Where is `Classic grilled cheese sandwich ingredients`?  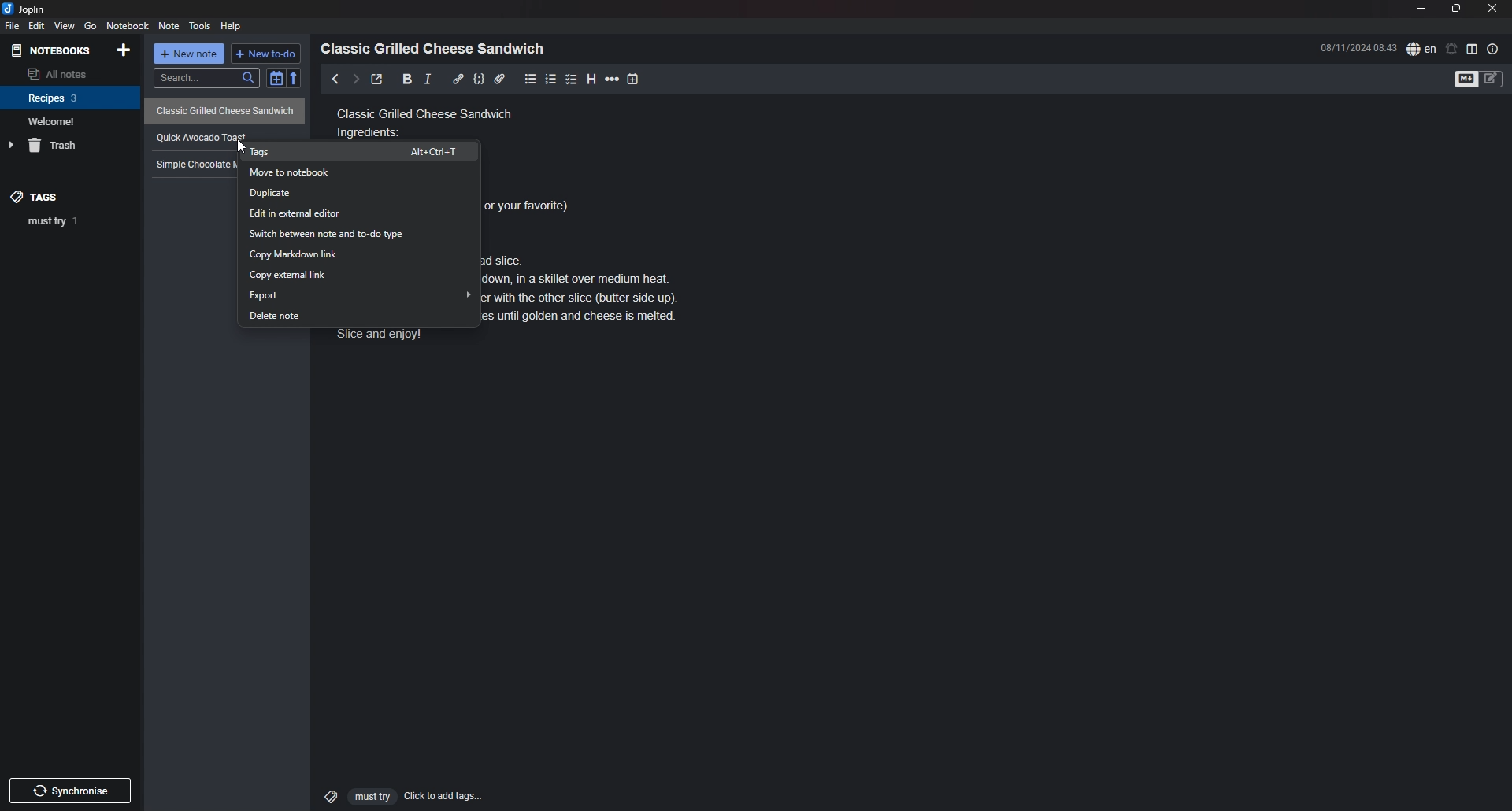
Classic grilled cheese sandwich ingredients is located at coordinates (428, 120).